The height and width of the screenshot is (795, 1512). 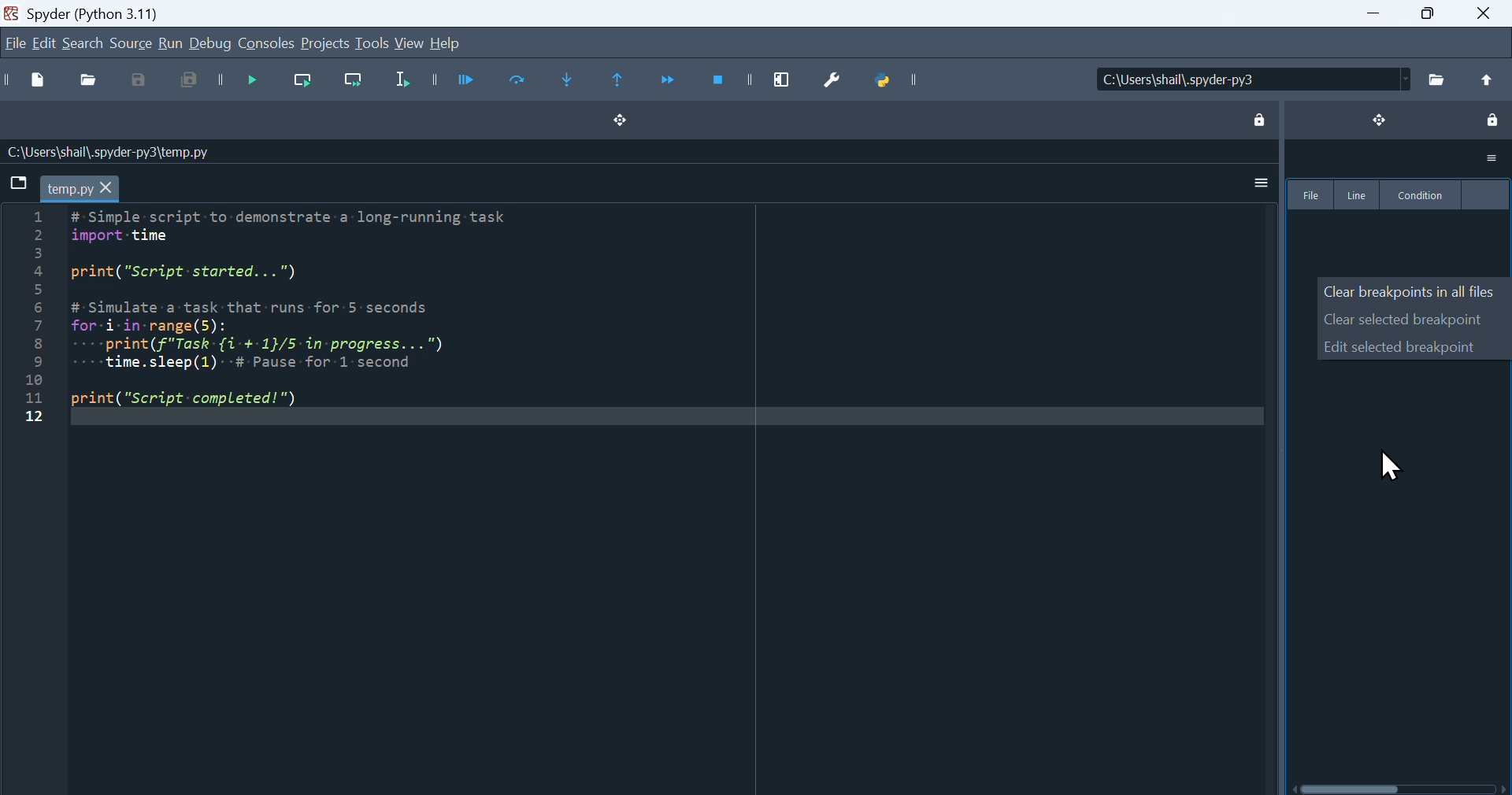 I want to click on File, so click(x=1311, y=194).